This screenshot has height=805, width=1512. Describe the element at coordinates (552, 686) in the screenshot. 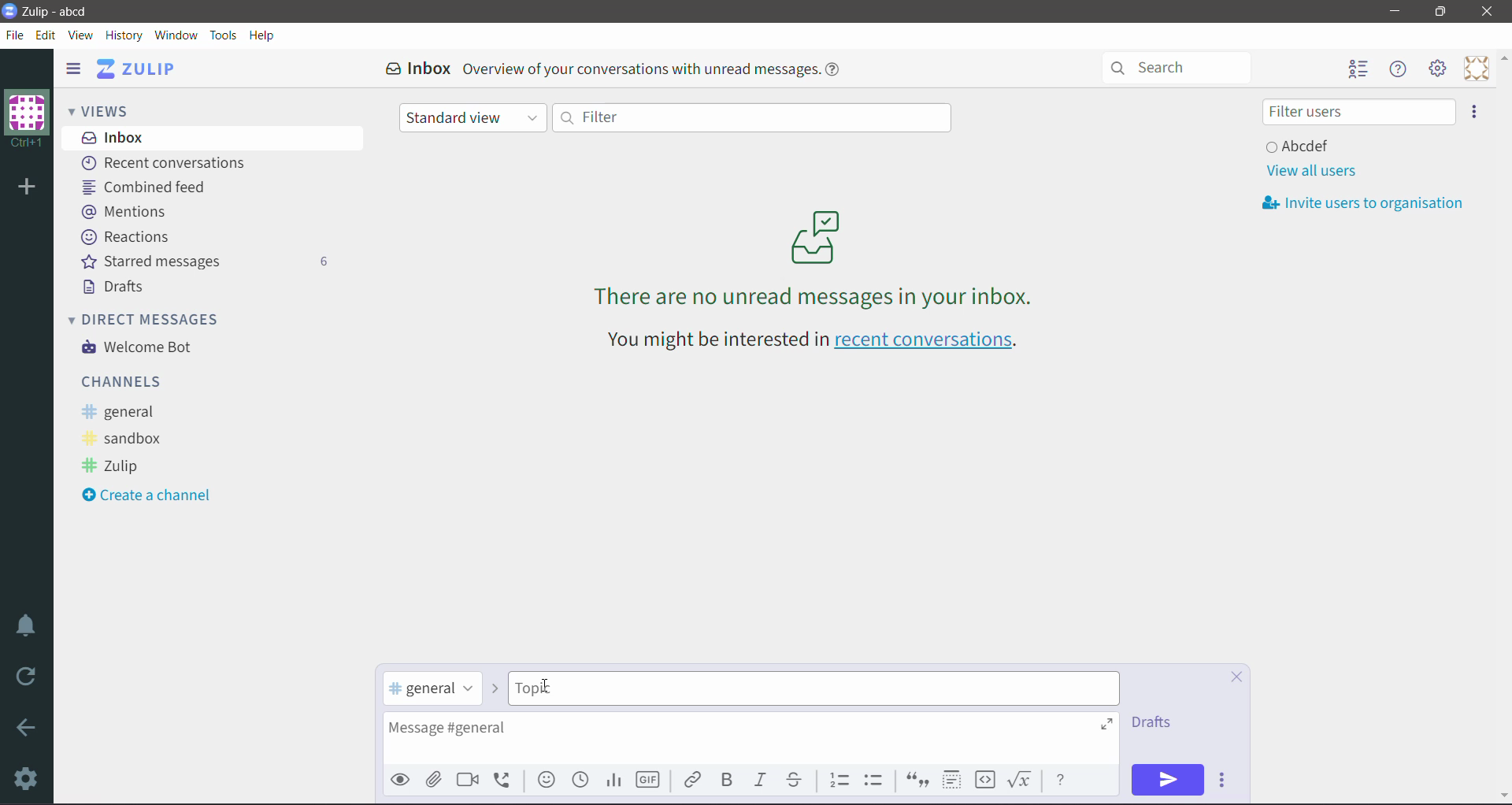

I see `Typing Cursor` at that location.